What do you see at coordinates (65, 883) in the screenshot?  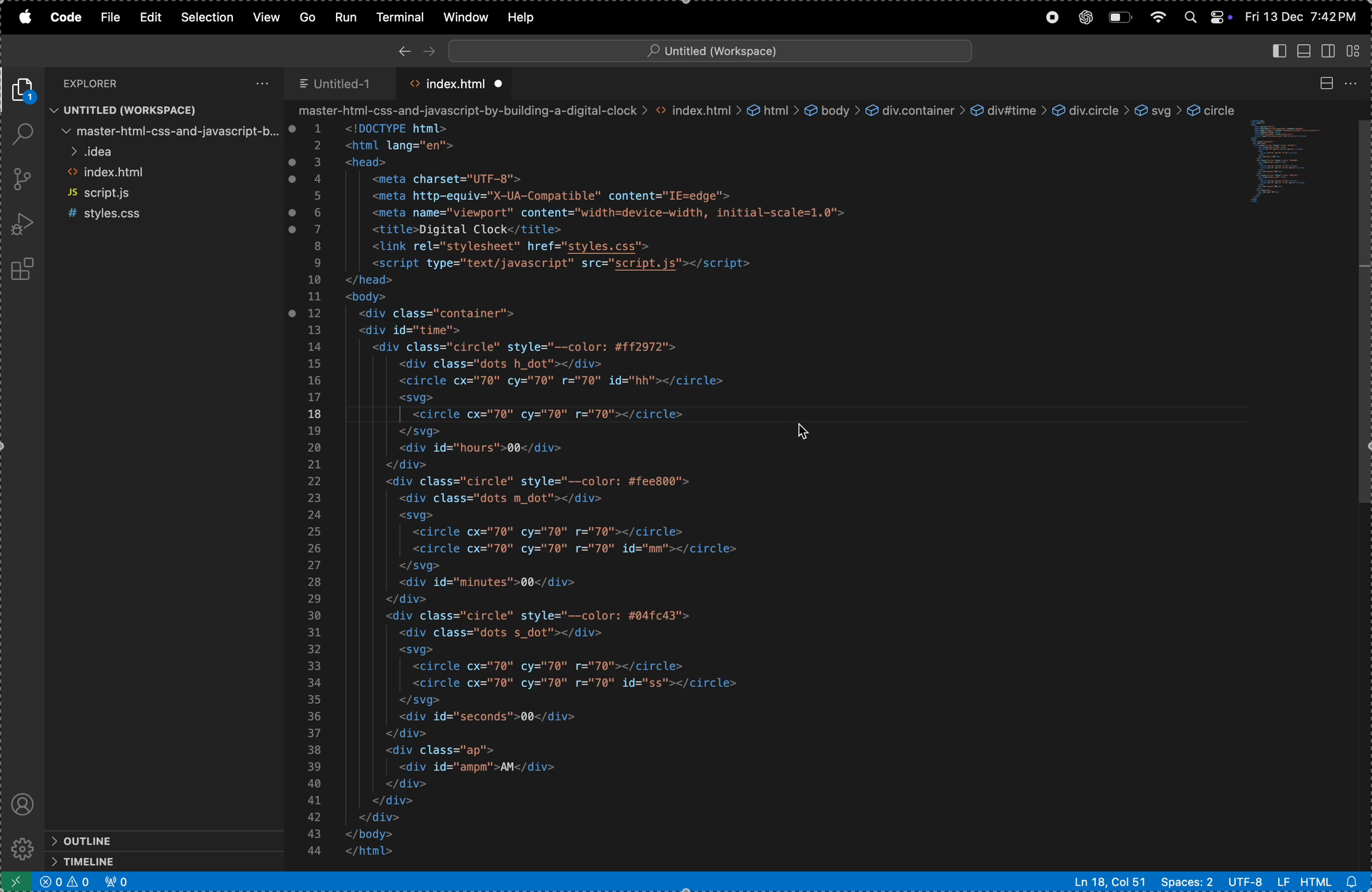 I see `no problems` at bounding box center [65, 883].